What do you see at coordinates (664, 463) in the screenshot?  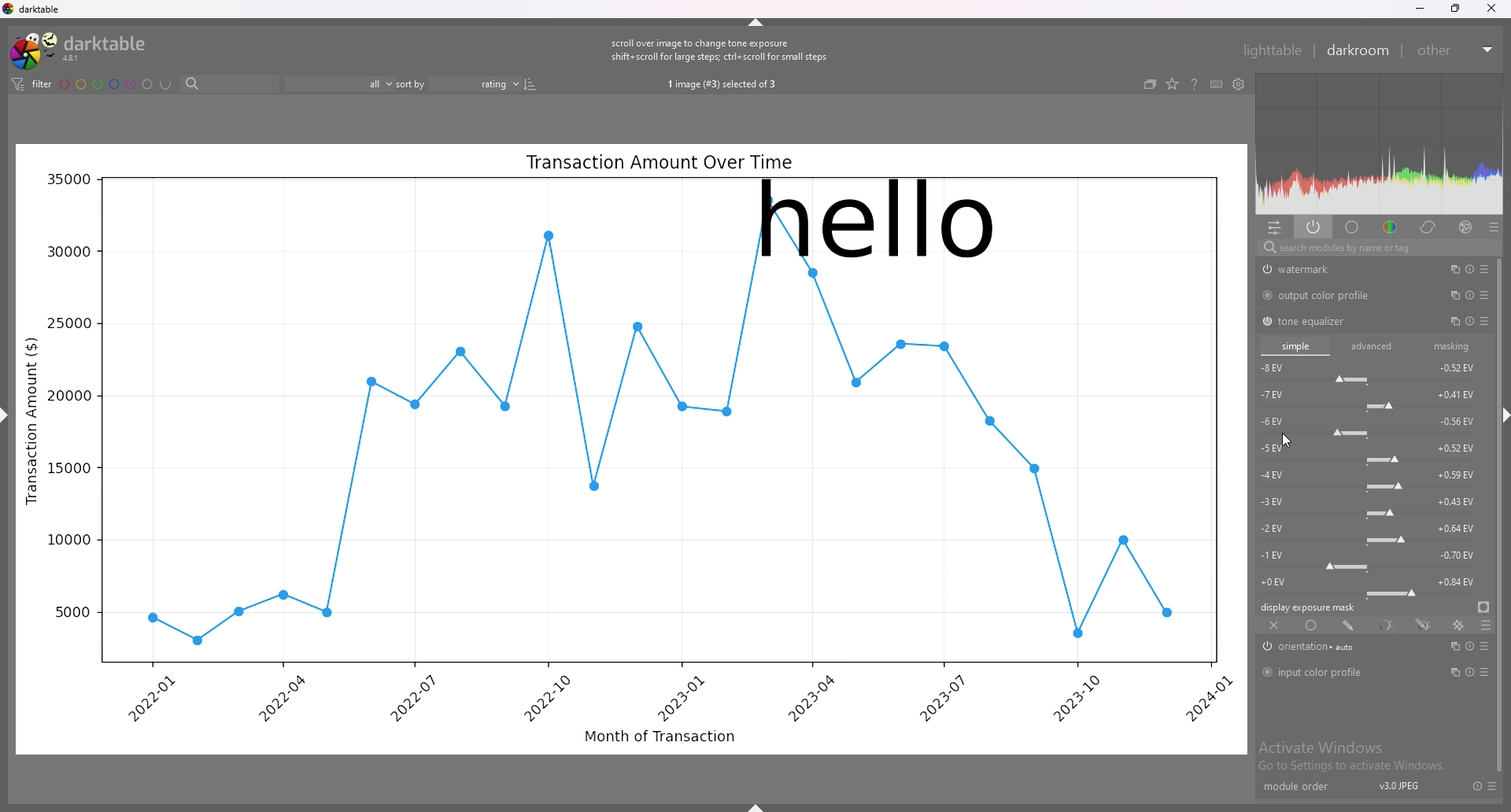 I see `graph line` at bounding box center [664, 463].